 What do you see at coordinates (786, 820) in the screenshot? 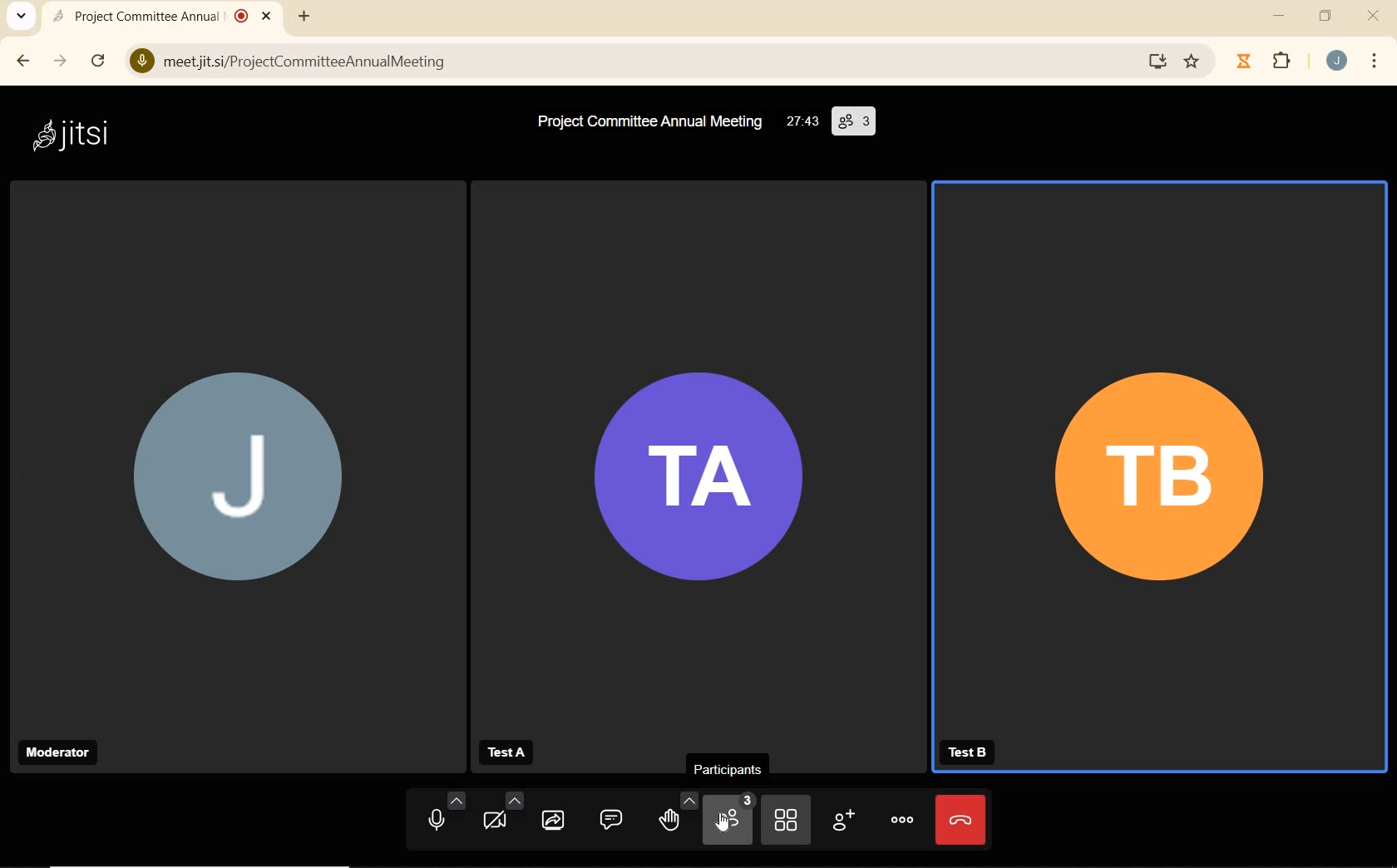
I see `TOGGLE TILE VIEW` at bounding box center [786, 820].